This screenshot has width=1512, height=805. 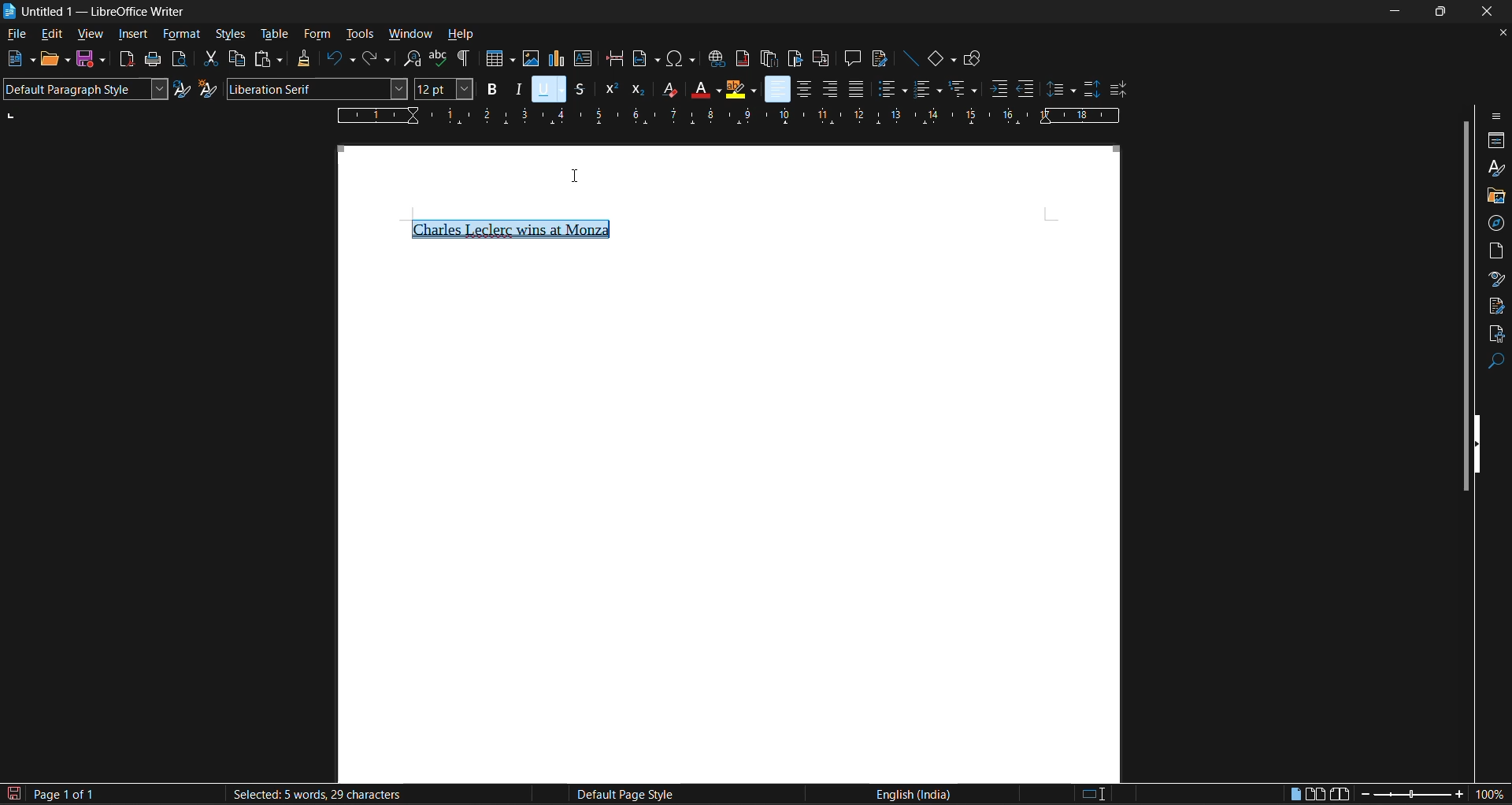 I want to click on insert table, so click(x=498, y=58).